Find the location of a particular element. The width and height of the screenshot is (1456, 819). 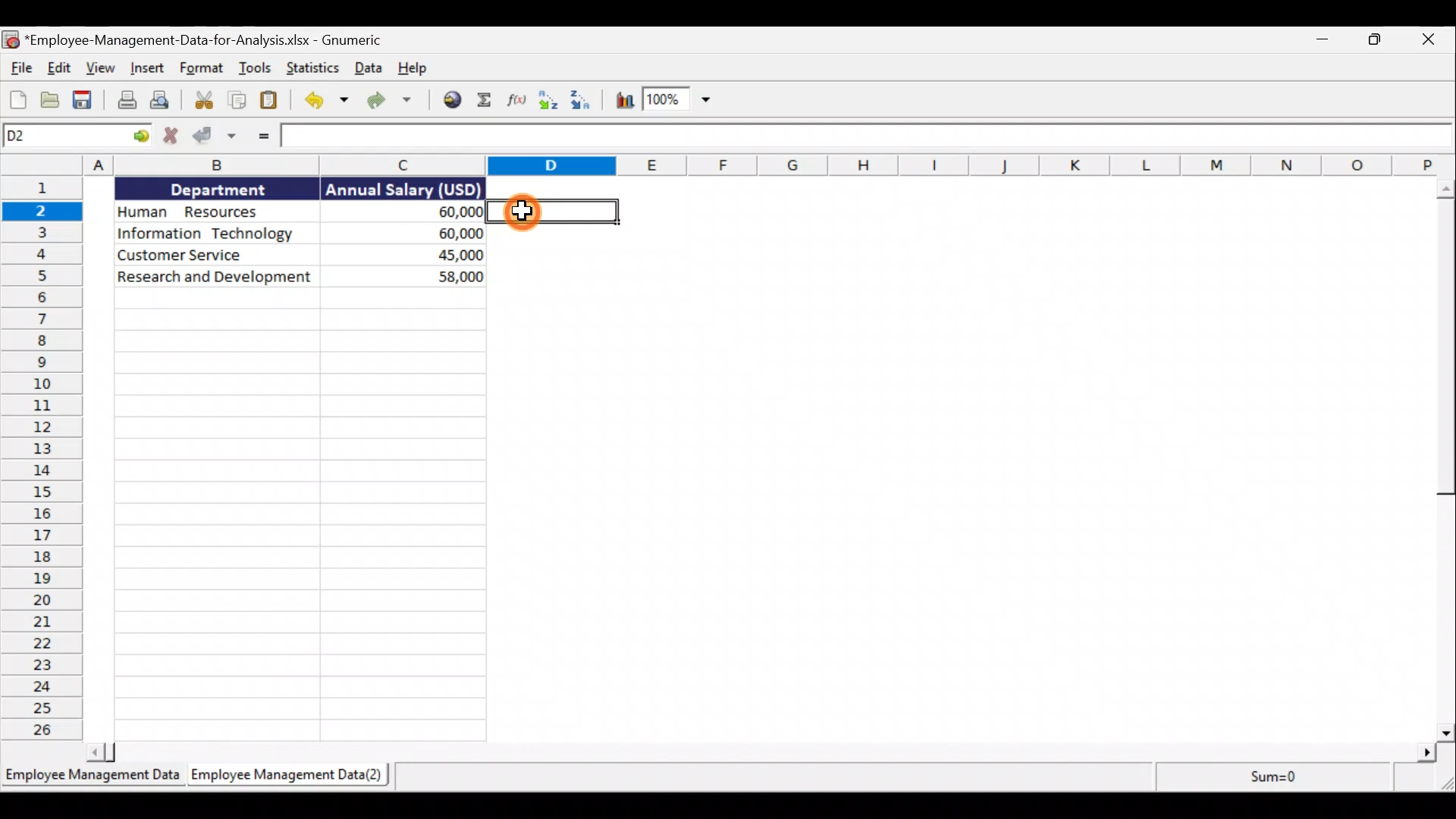

close is located at coordinates (1430, 45).